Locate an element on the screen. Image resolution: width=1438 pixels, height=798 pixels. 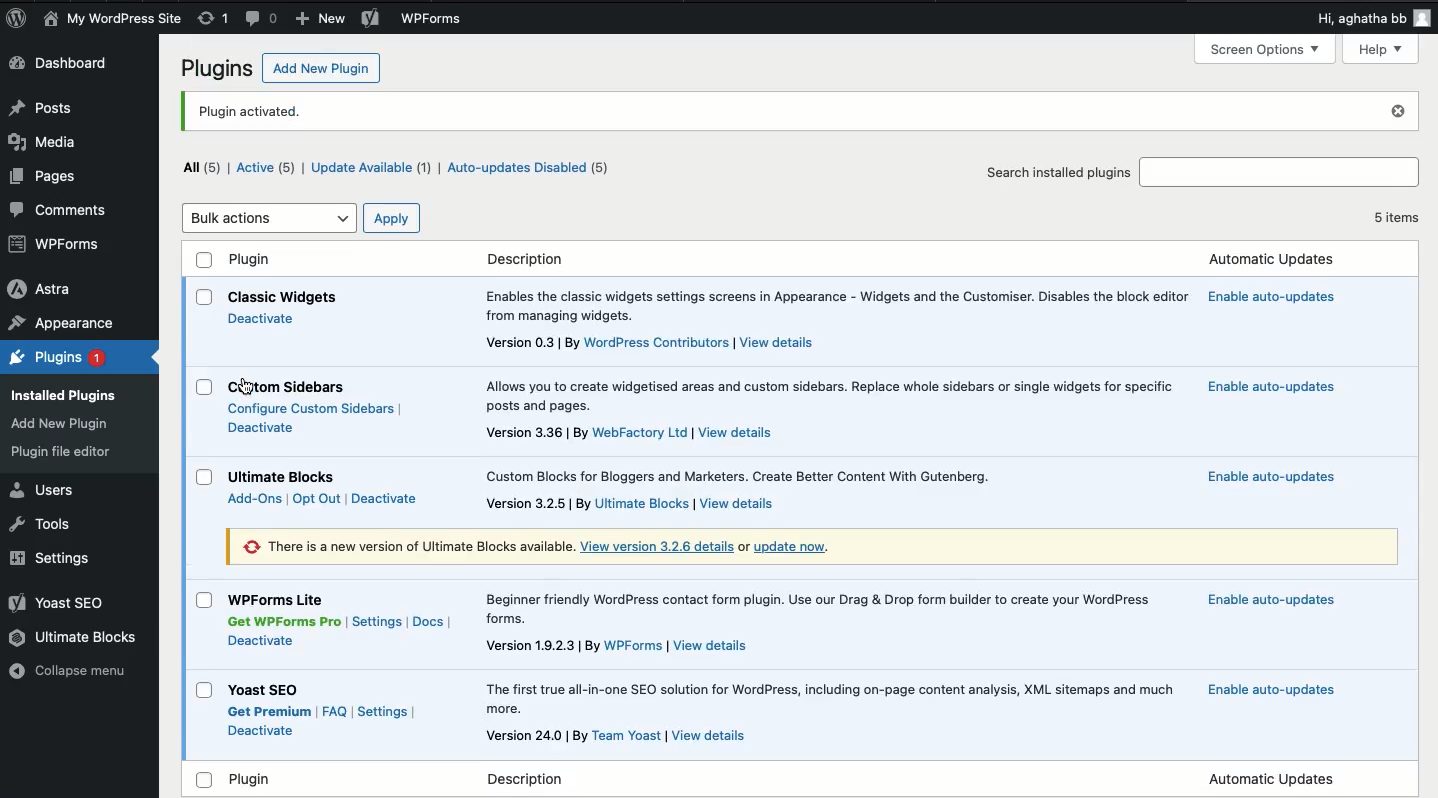
Dashboard is located at coordinates (68, 65).